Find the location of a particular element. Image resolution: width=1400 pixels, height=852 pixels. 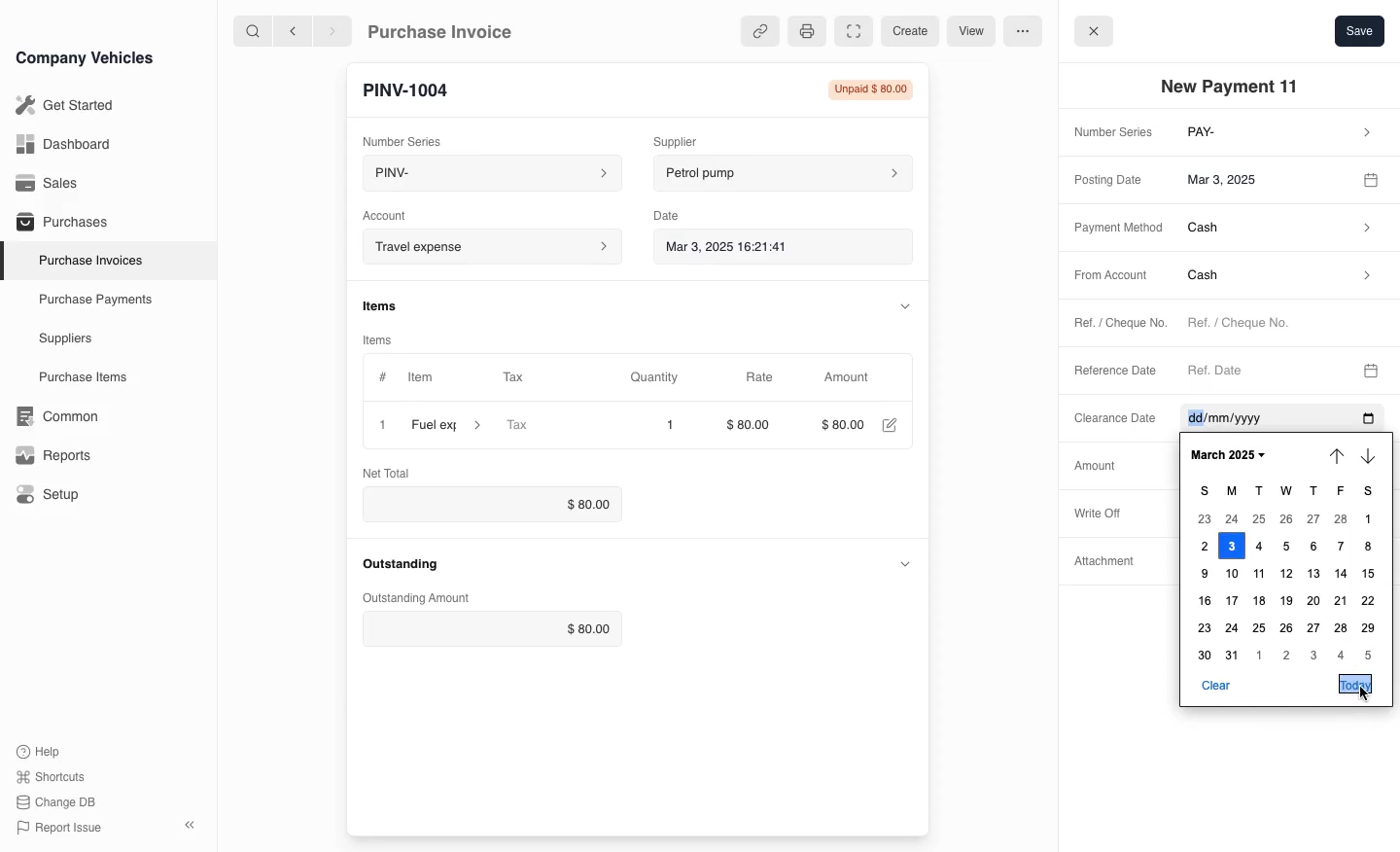

$000 is located at coordinates (842, 425).